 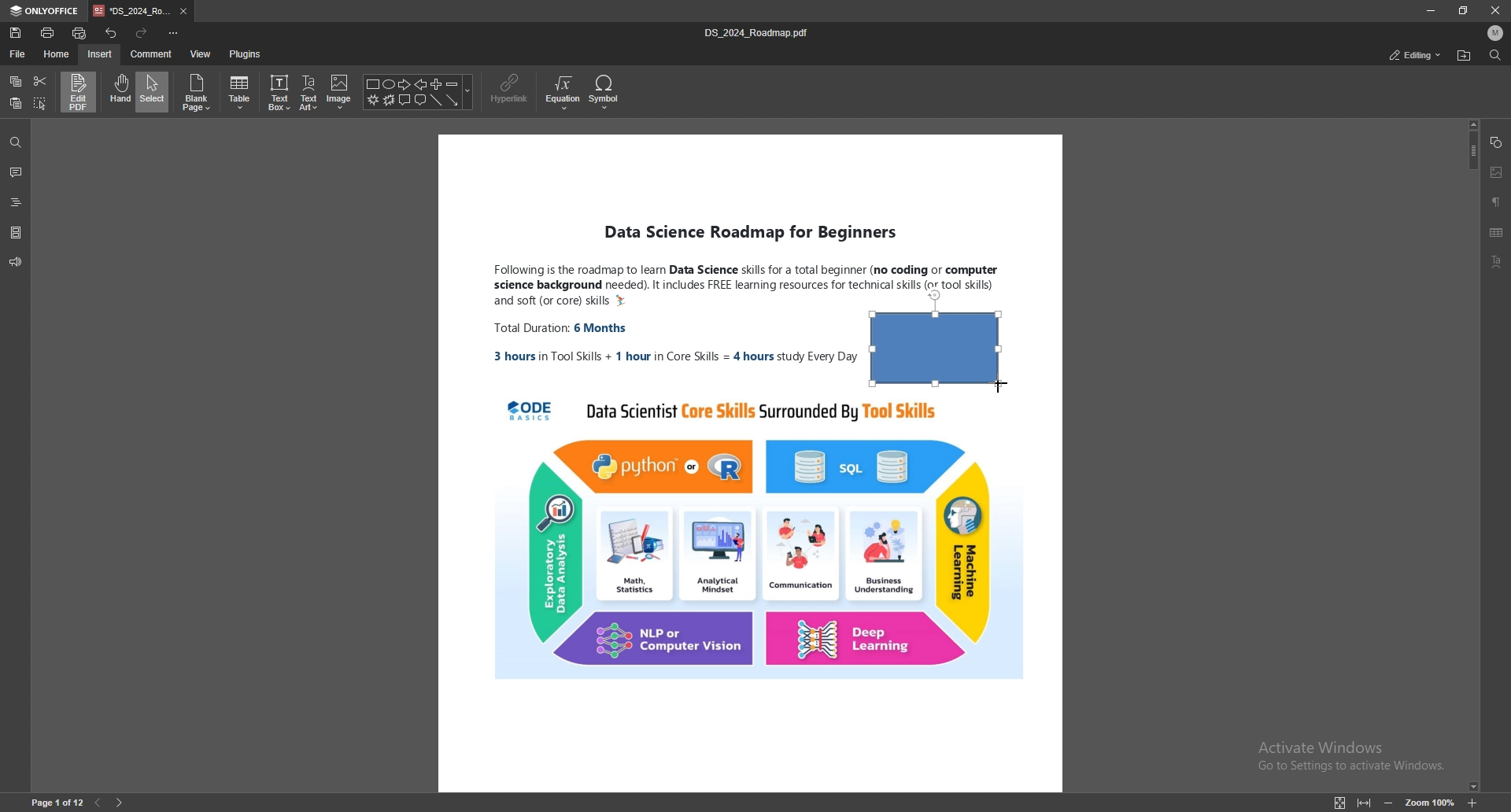 What do you see at coordinates (280, 92) in the screenshot?
I see `text box` at bounding box center [280, 92].